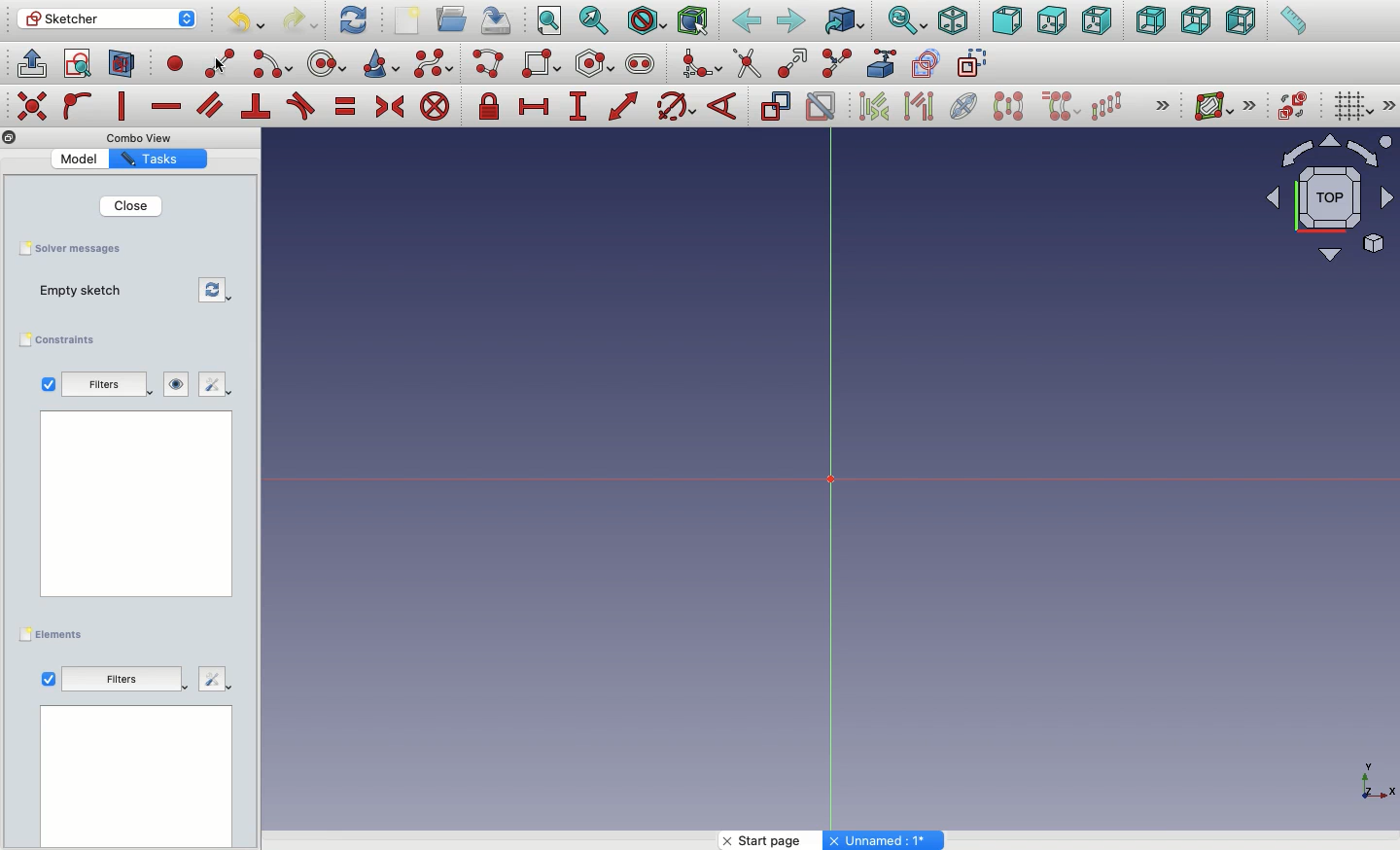 The height and width of the screenshot is (850, 1400). I want to click on External geometry, so click(879, 62).